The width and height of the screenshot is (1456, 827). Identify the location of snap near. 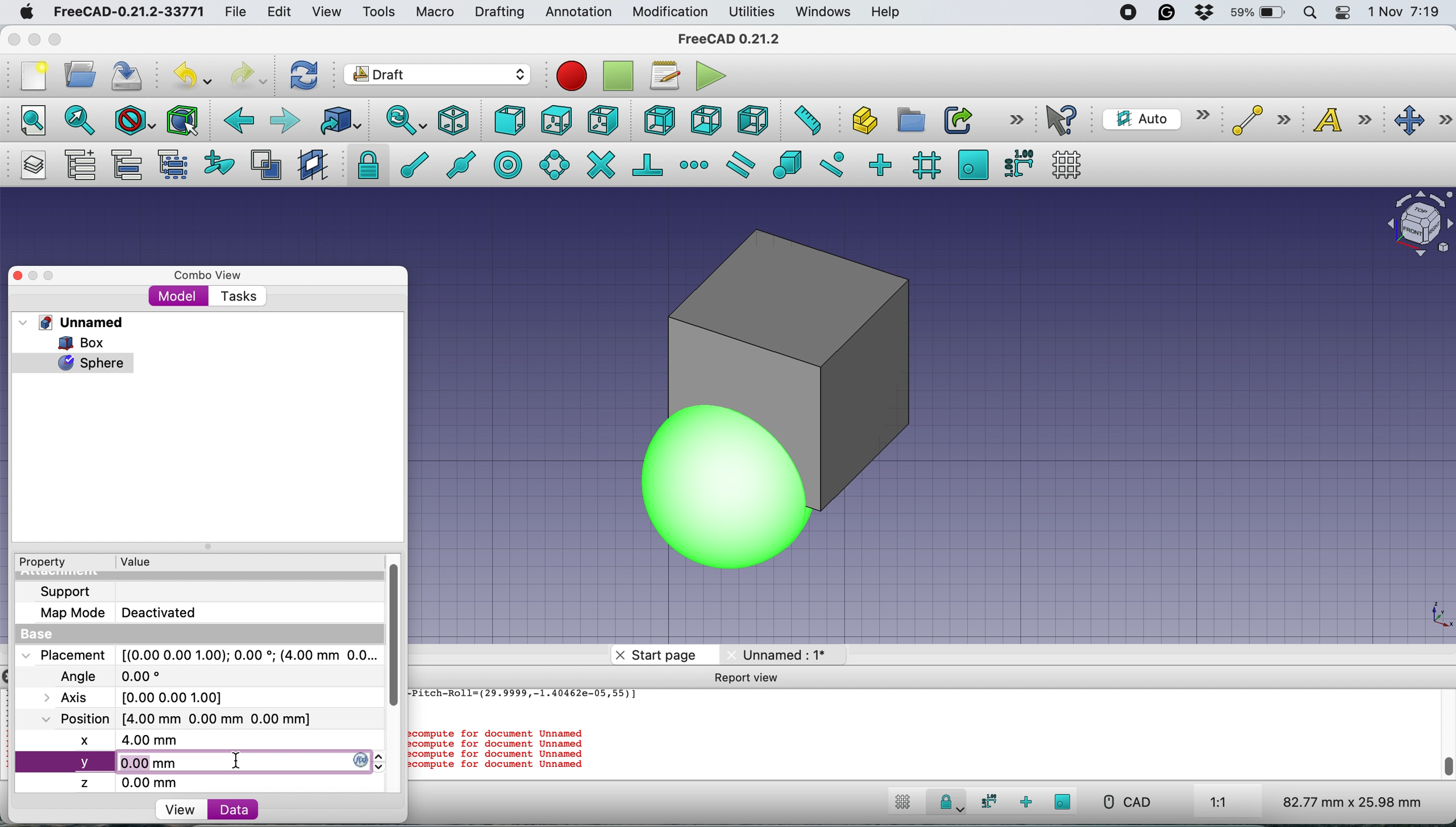
(832, 163).